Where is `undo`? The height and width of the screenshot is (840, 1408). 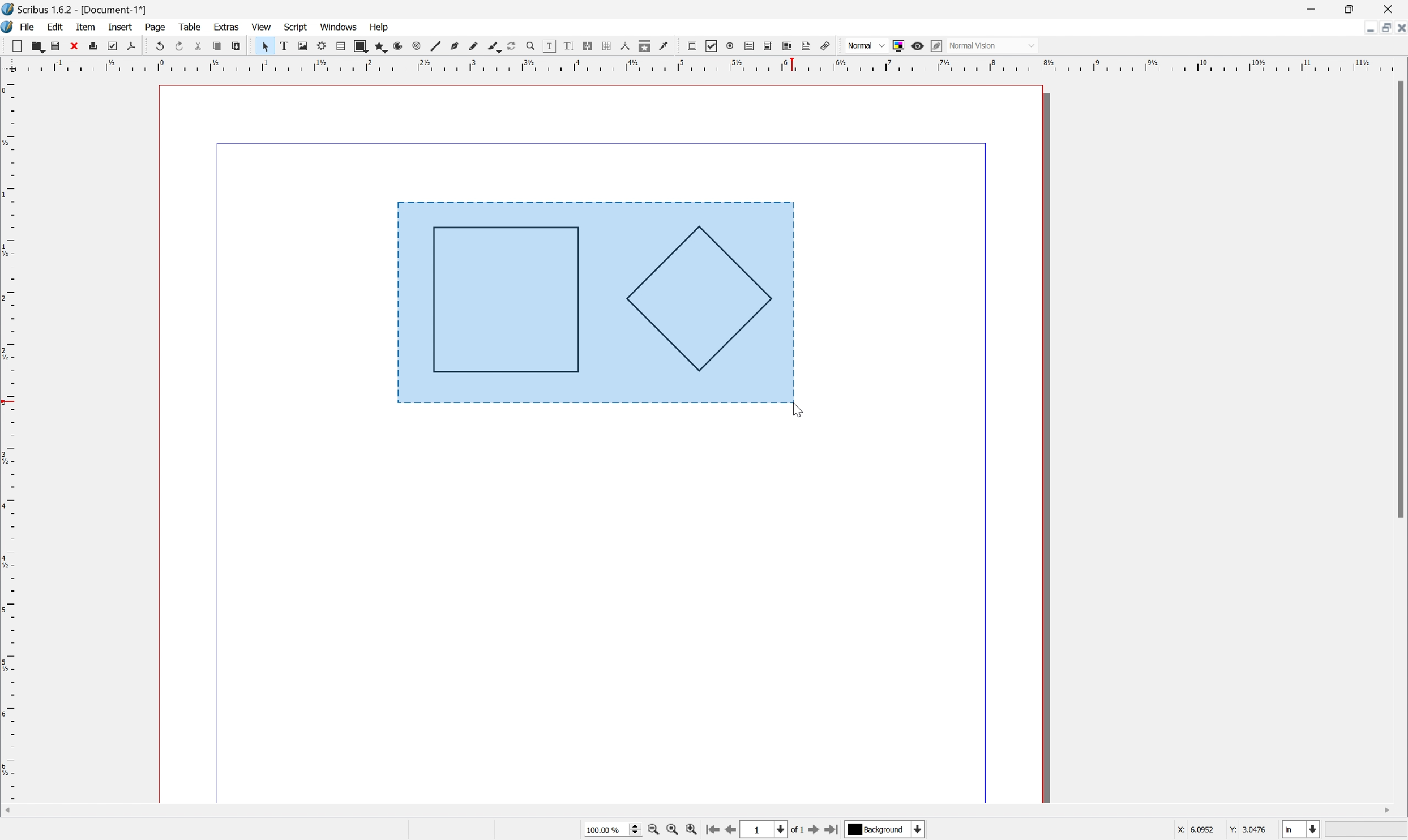
undo is located at coordinates (160, 47).